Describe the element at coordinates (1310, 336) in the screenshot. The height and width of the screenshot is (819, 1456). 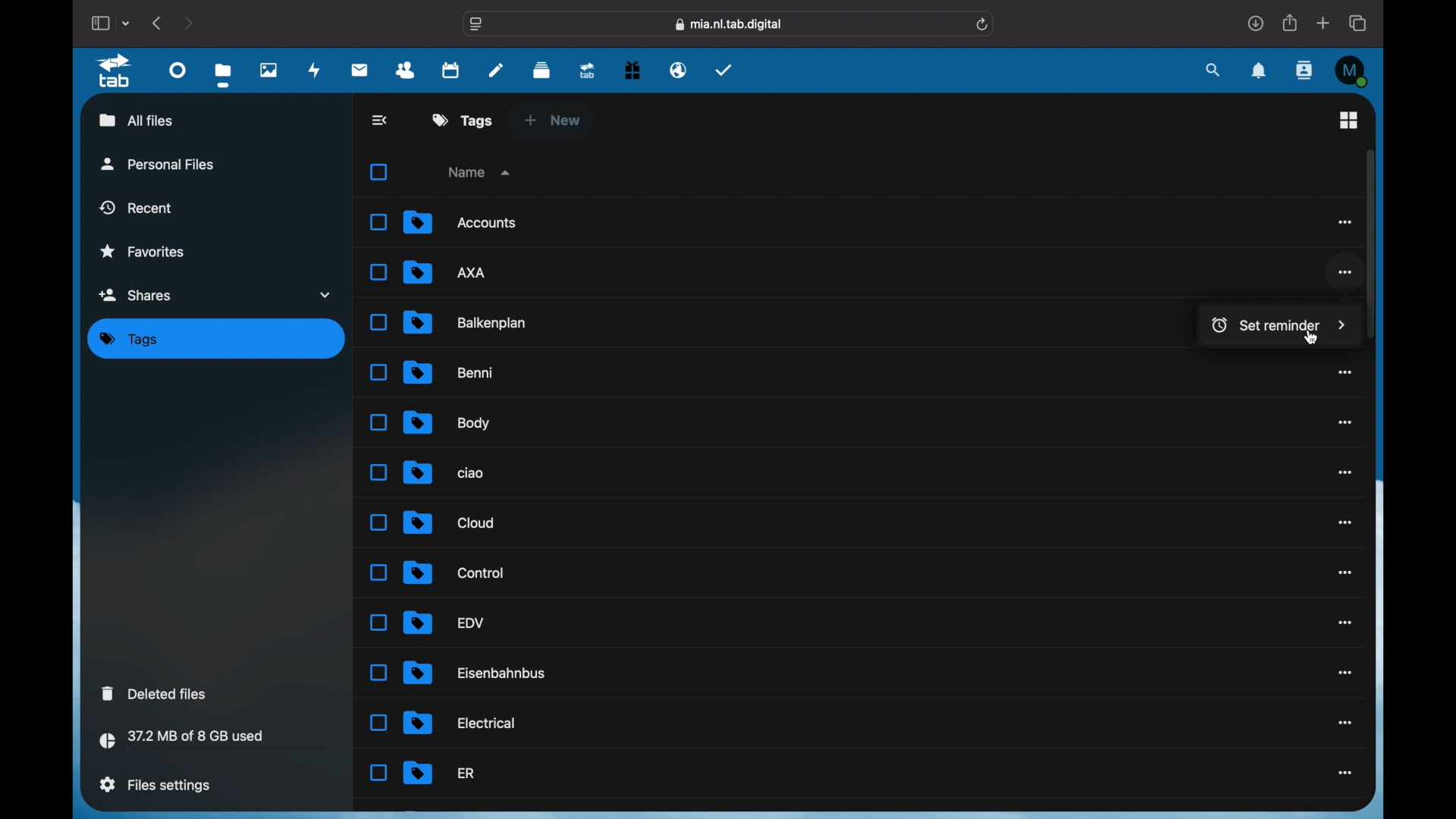
I see `cursor` at that location.